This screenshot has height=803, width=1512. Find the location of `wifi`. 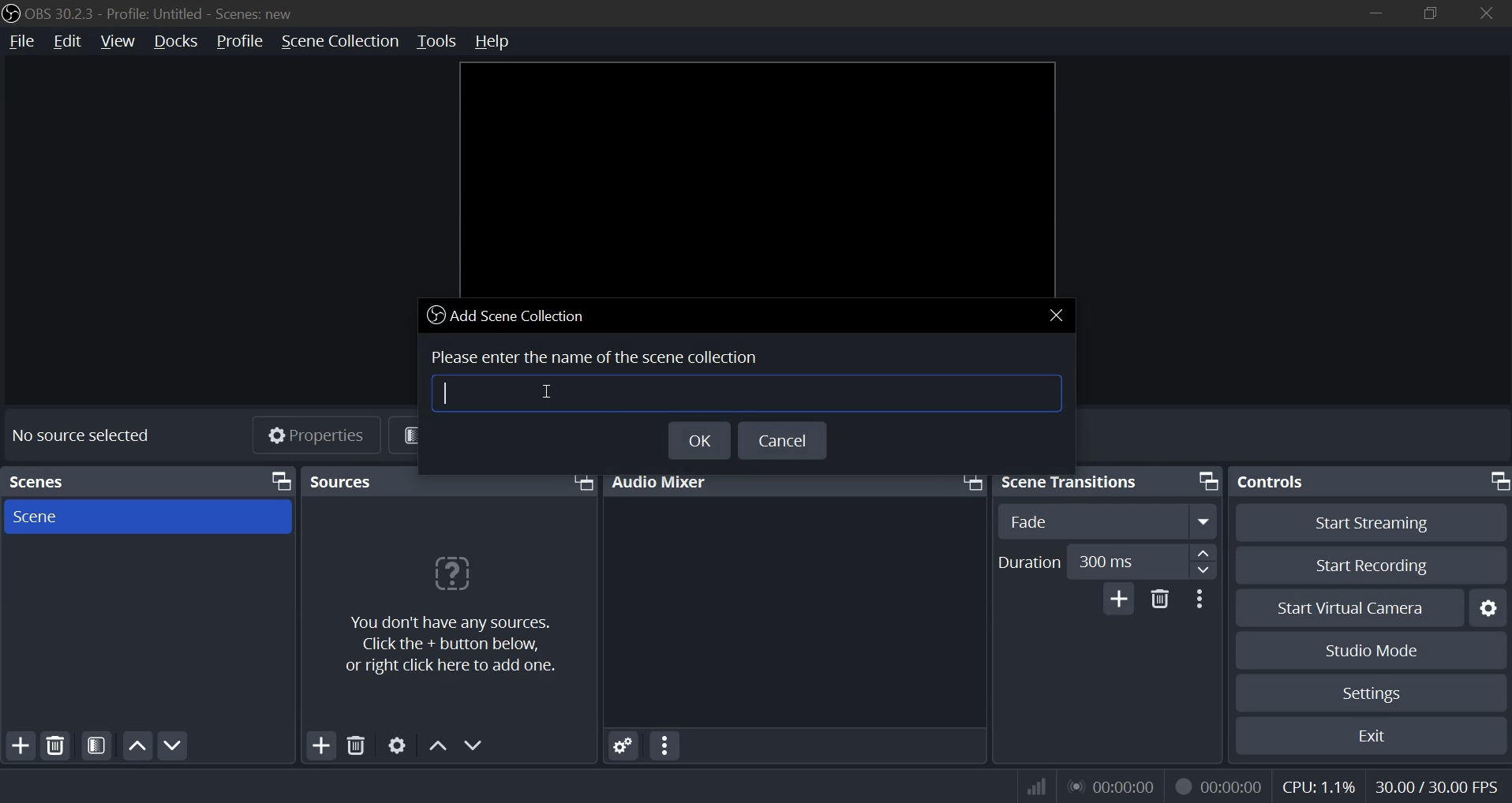

wifi is located at coordinates (1029, 786).